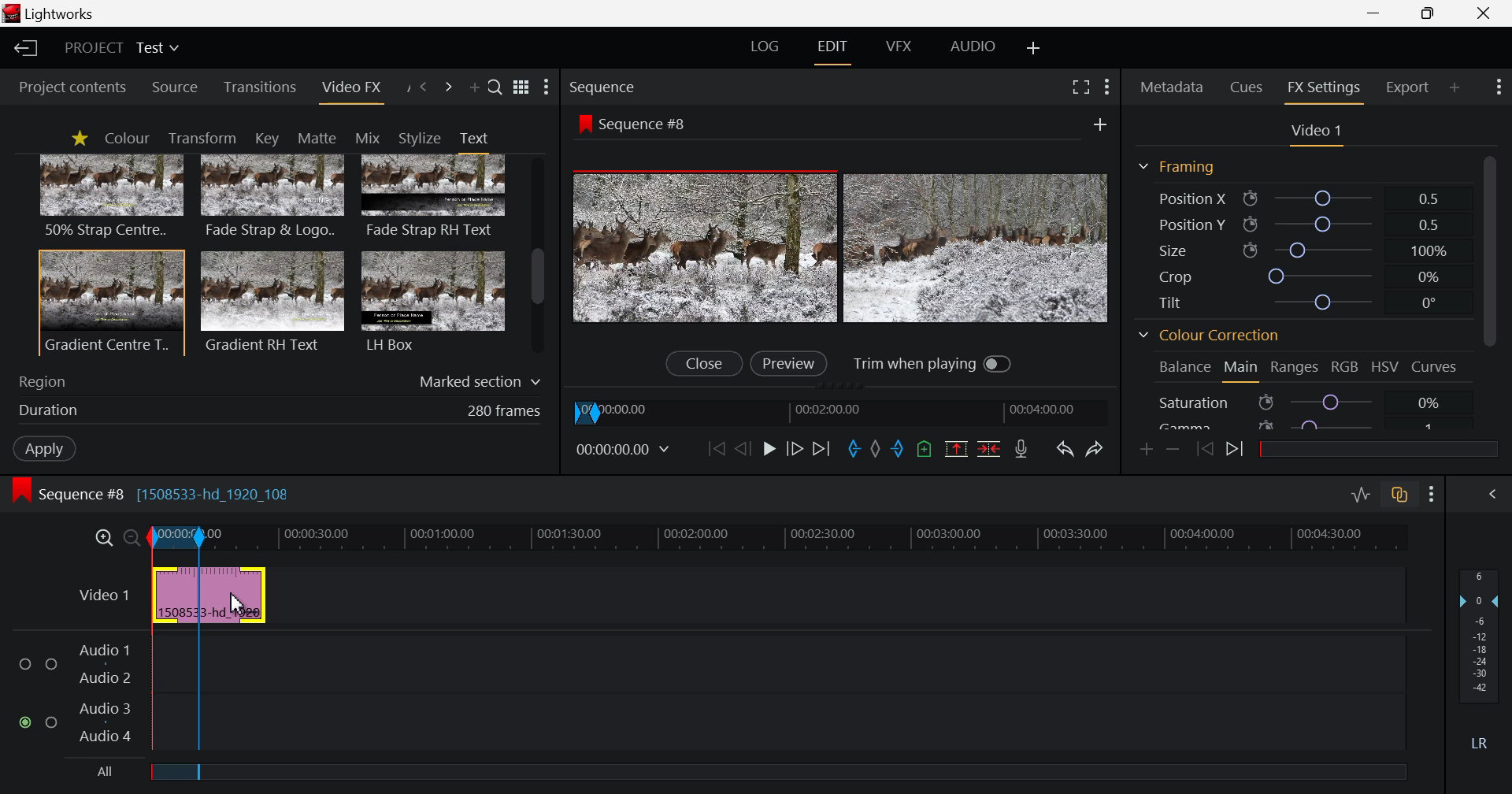 The width and height of the screenshot is (1512, 794). I want to click on Apply, so click(41, 447).